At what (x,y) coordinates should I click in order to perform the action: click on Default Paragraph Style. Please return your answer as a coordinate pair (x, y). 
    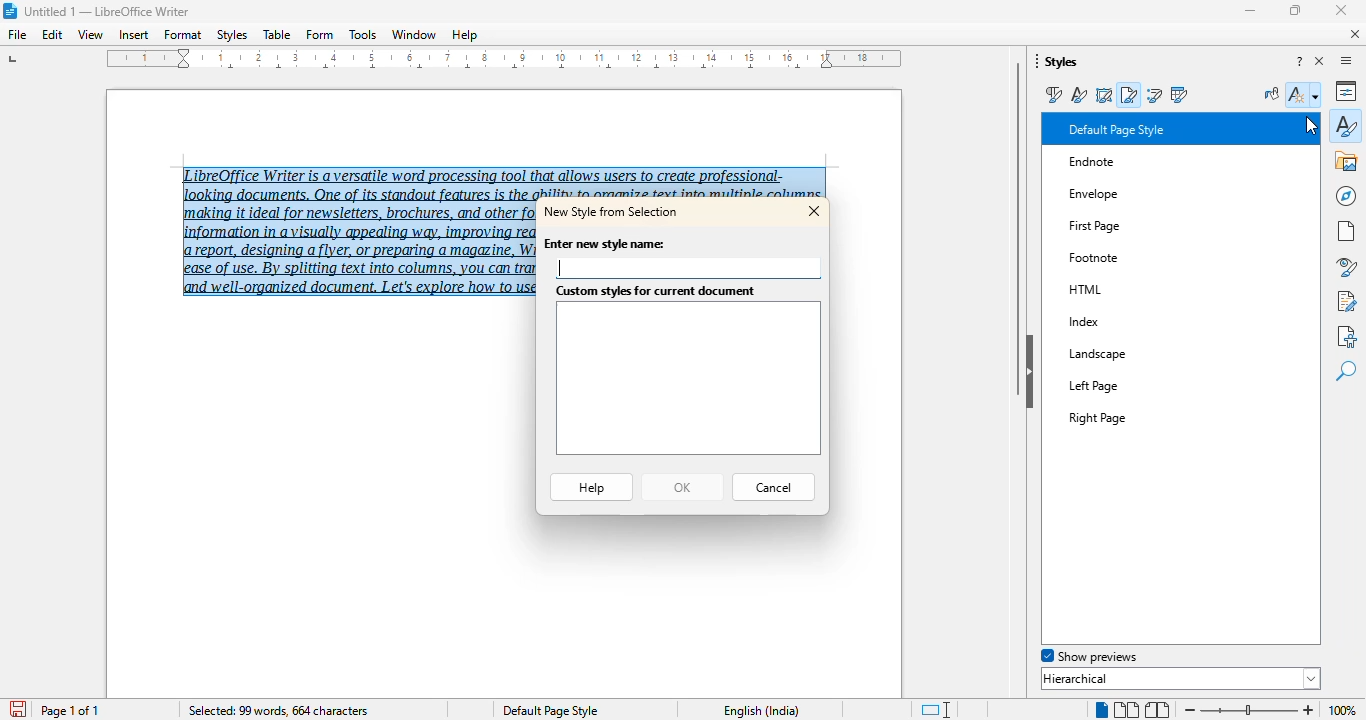
    Looking at the image, I should click on (1152, 129).